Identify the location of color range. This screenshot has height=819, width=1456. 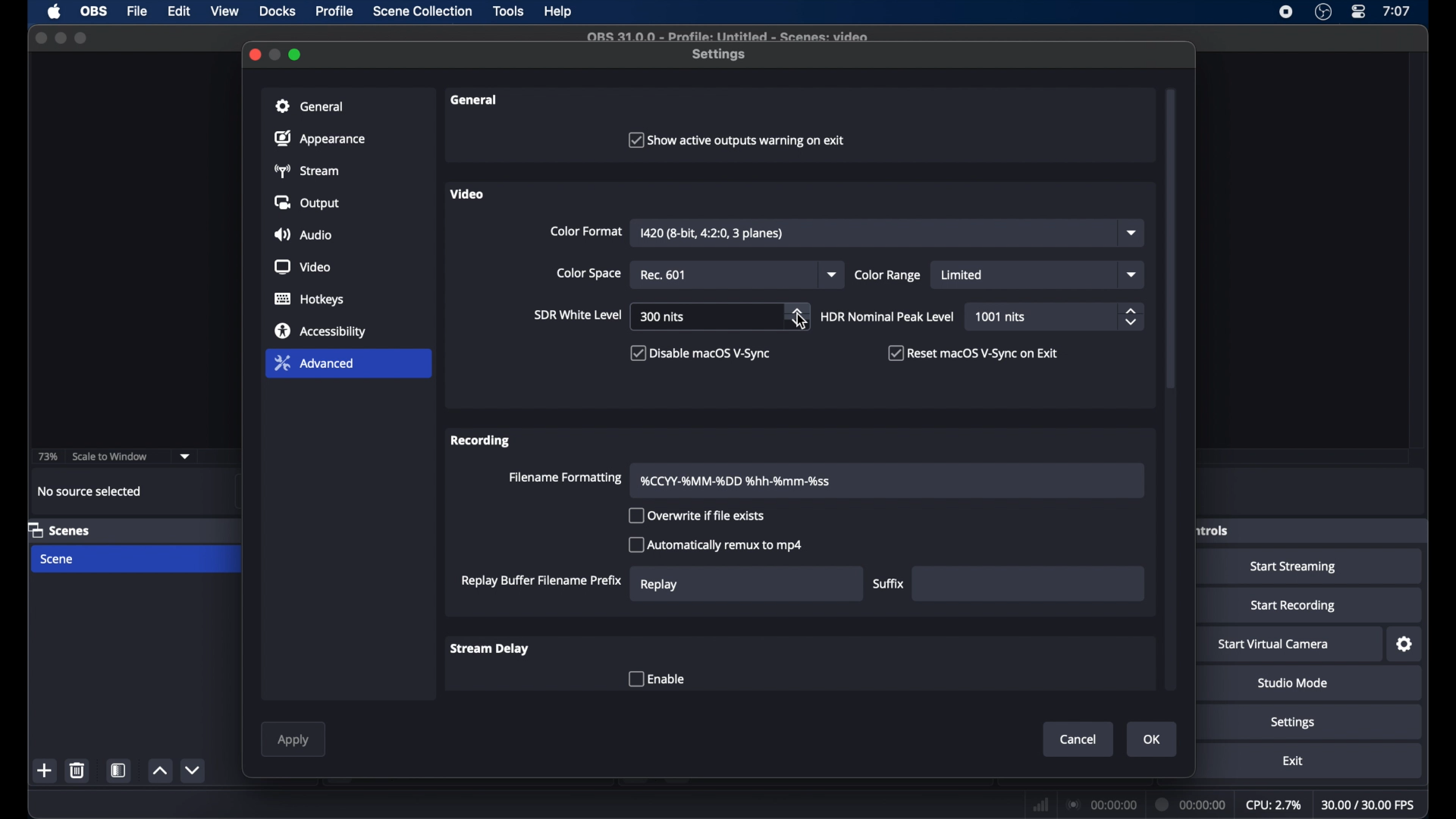
(887, 275).